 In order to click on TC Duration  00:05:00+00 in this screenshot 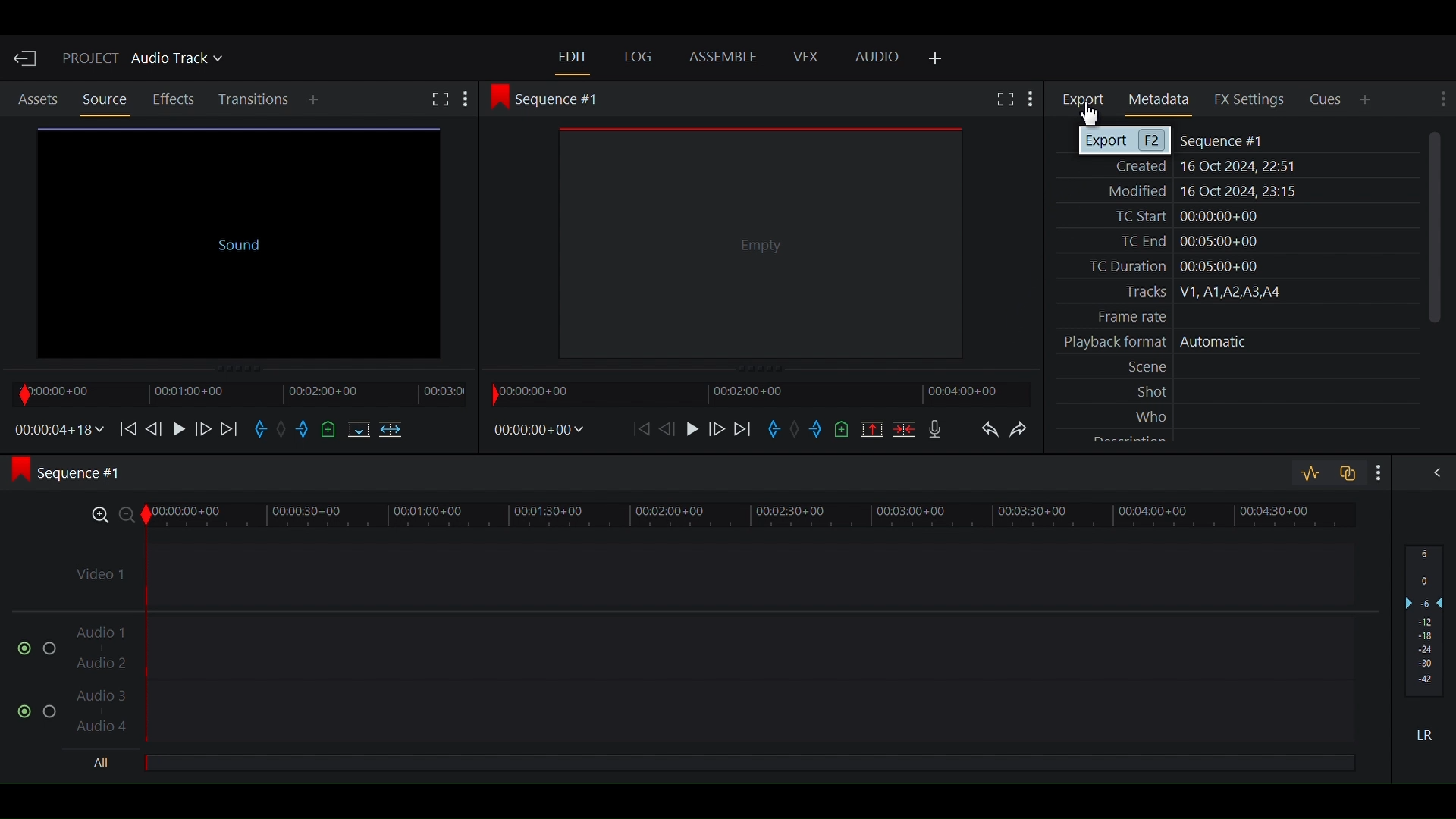, I will do `click(1167, 266)`.